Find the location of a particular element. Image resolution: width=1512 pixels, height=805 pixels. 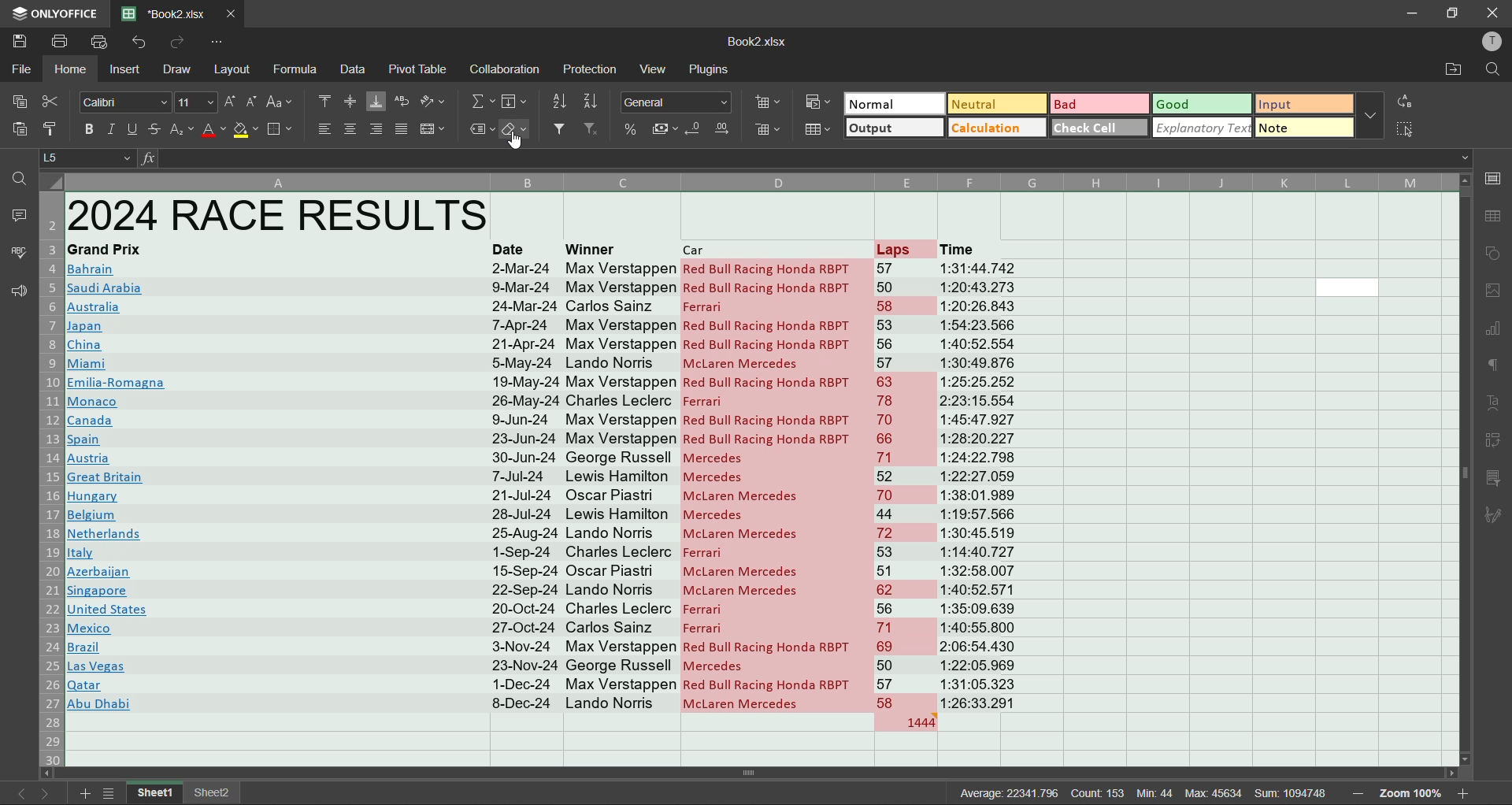

increase decimal is located at coordinates (721, 129).